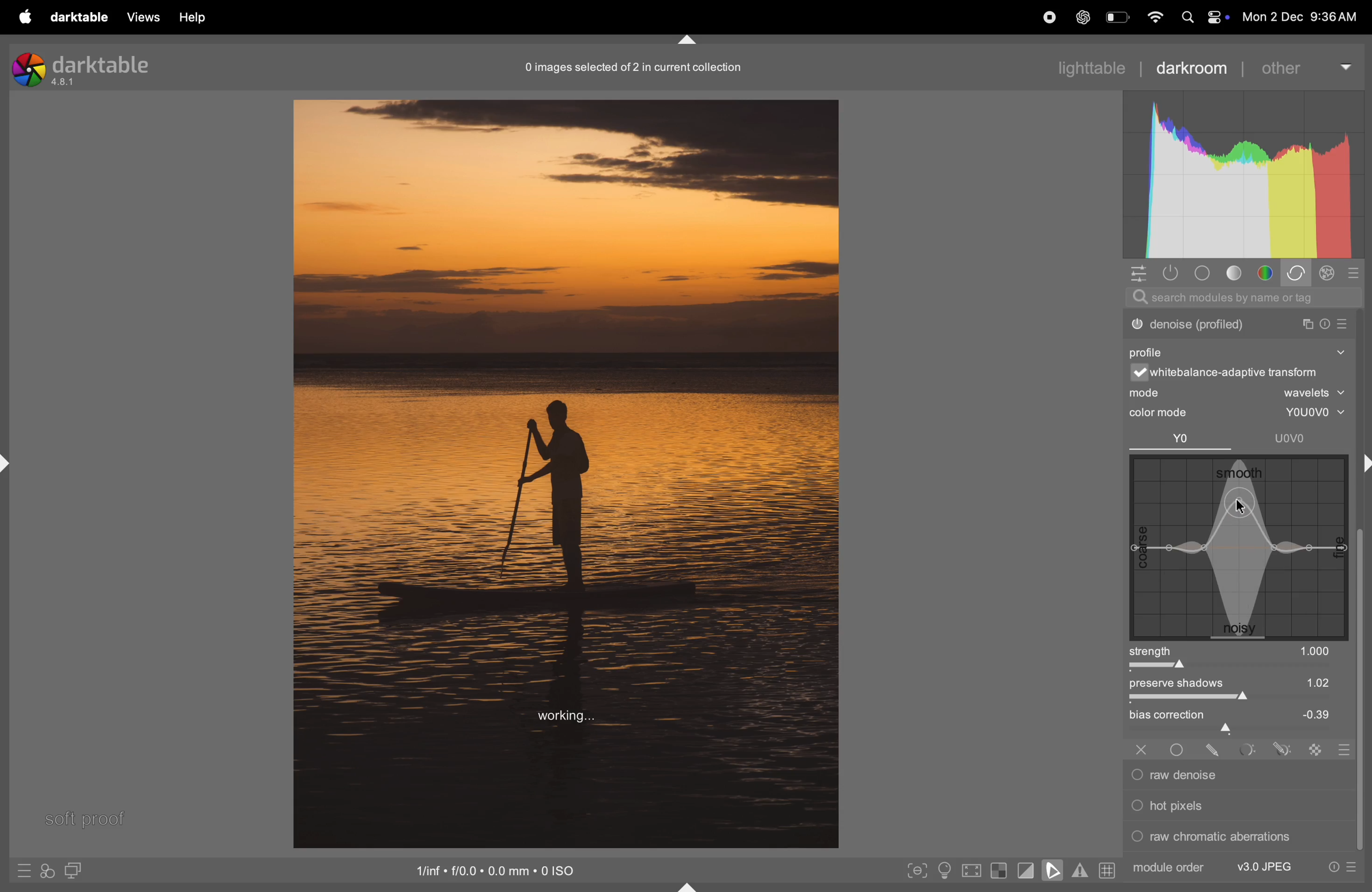 This screenshot has height=892, width=1372. I want to click on color mode, so click(1170, 413).